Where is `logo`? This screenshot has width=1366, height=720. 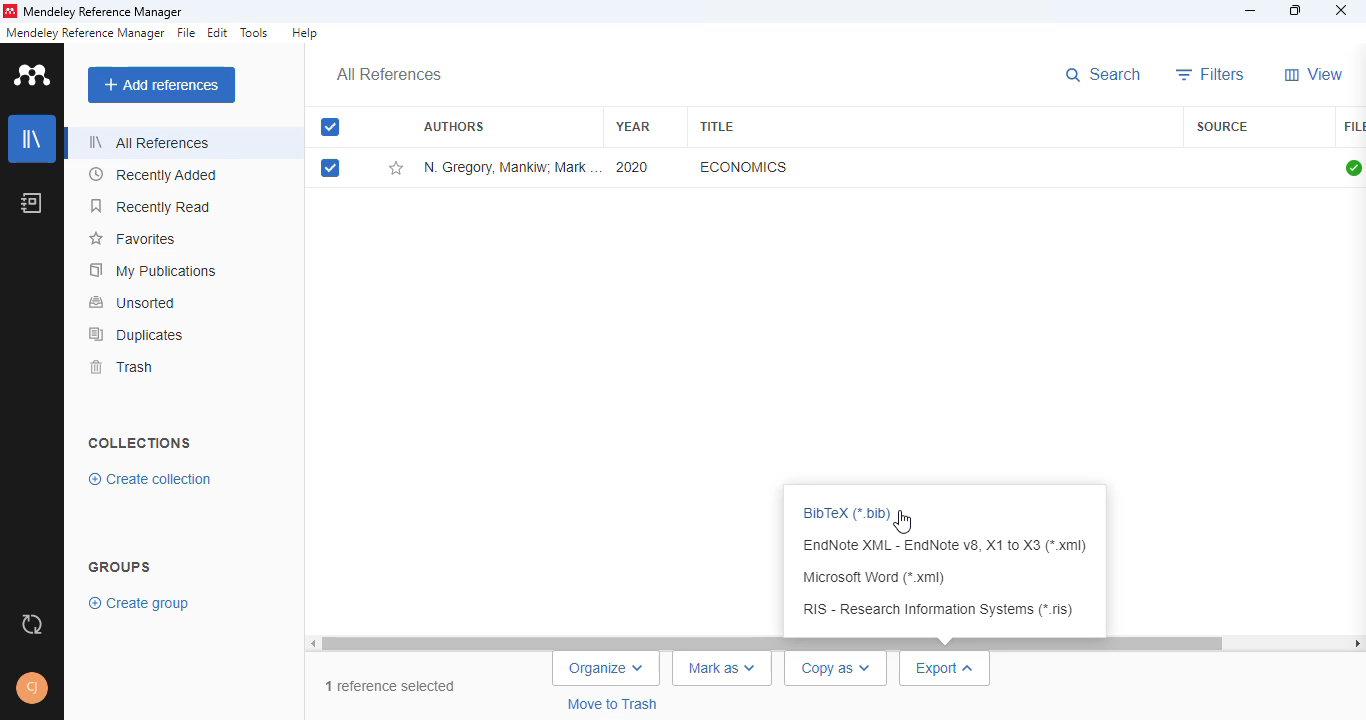
logo is located at coordinates (10, 11).